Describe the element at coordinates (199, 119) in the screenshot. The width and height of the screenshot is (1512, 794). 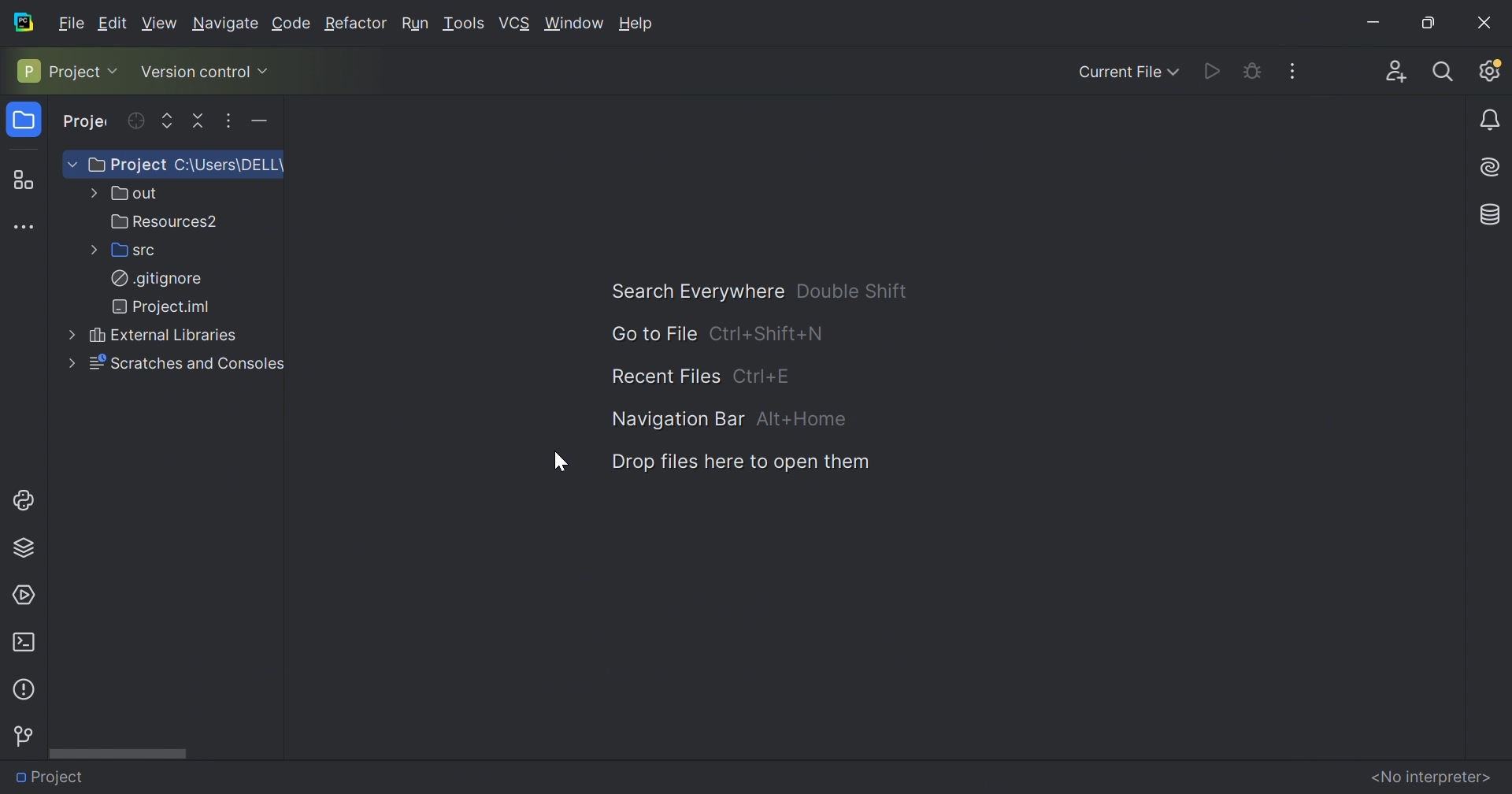
I see `Collapse all` at that location.